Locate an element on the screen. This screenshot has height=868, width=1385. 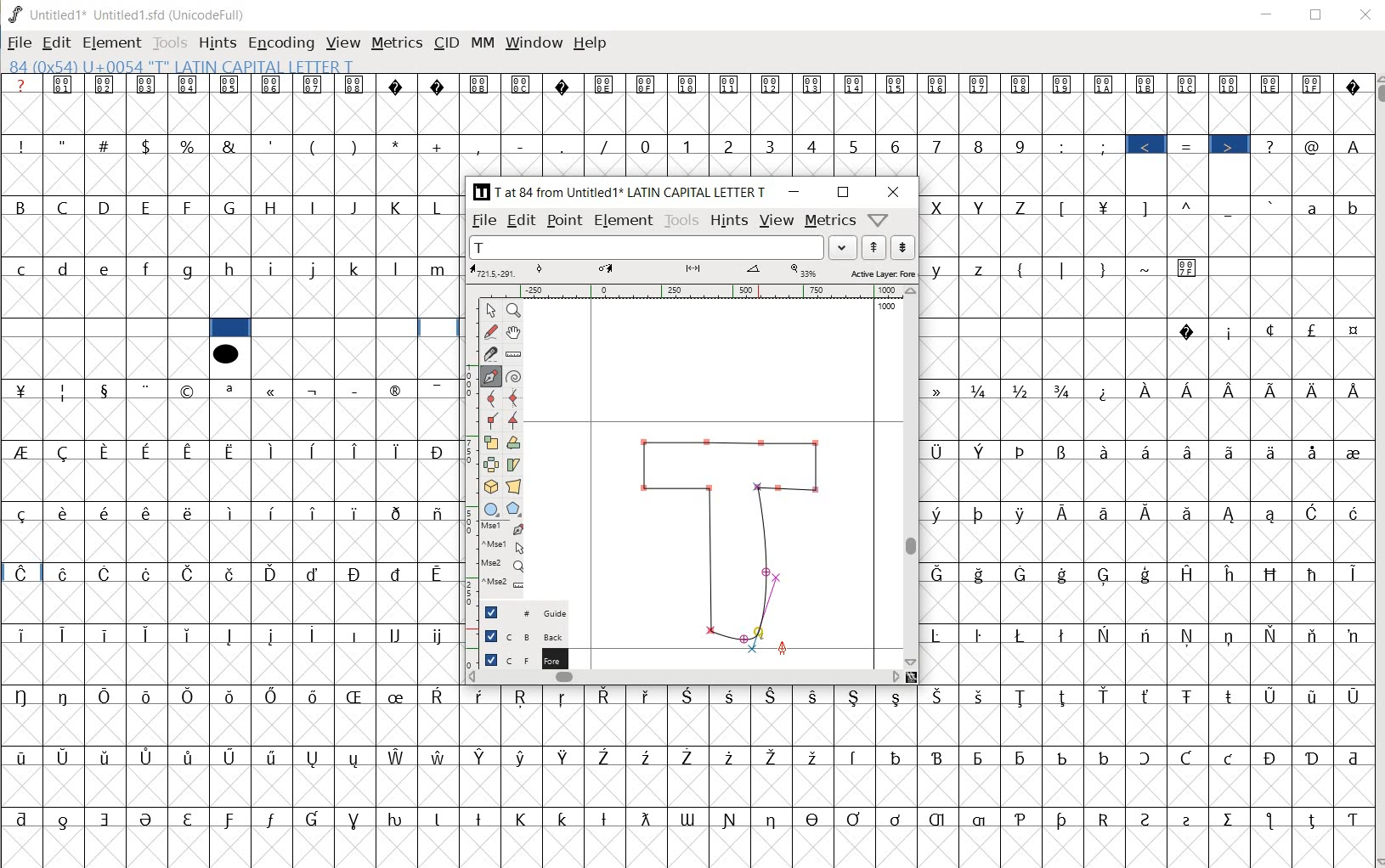
Symbol is located at coordinates (1063, 757).